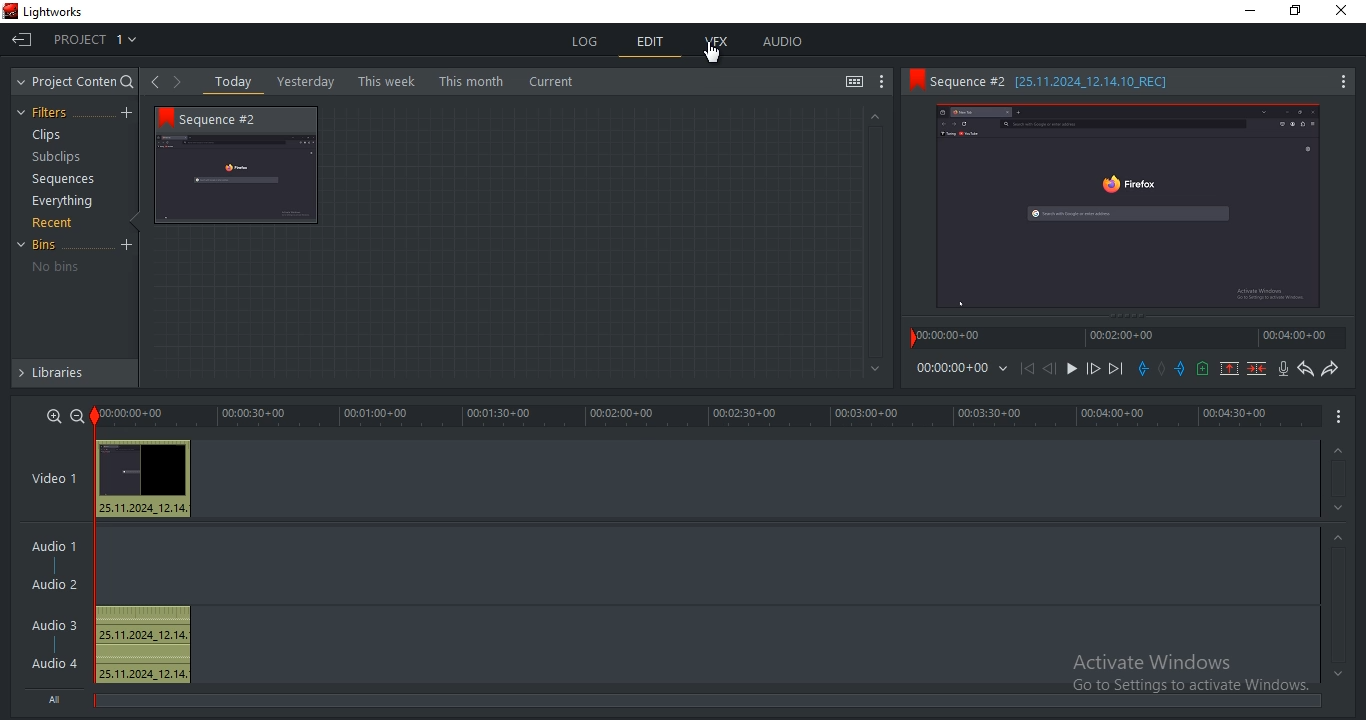 This screenshot has height=720, width=1366. What do you see at coordinates (717, 42) in the screenshot?
I see `vfx` at bounding box center [717, 42].